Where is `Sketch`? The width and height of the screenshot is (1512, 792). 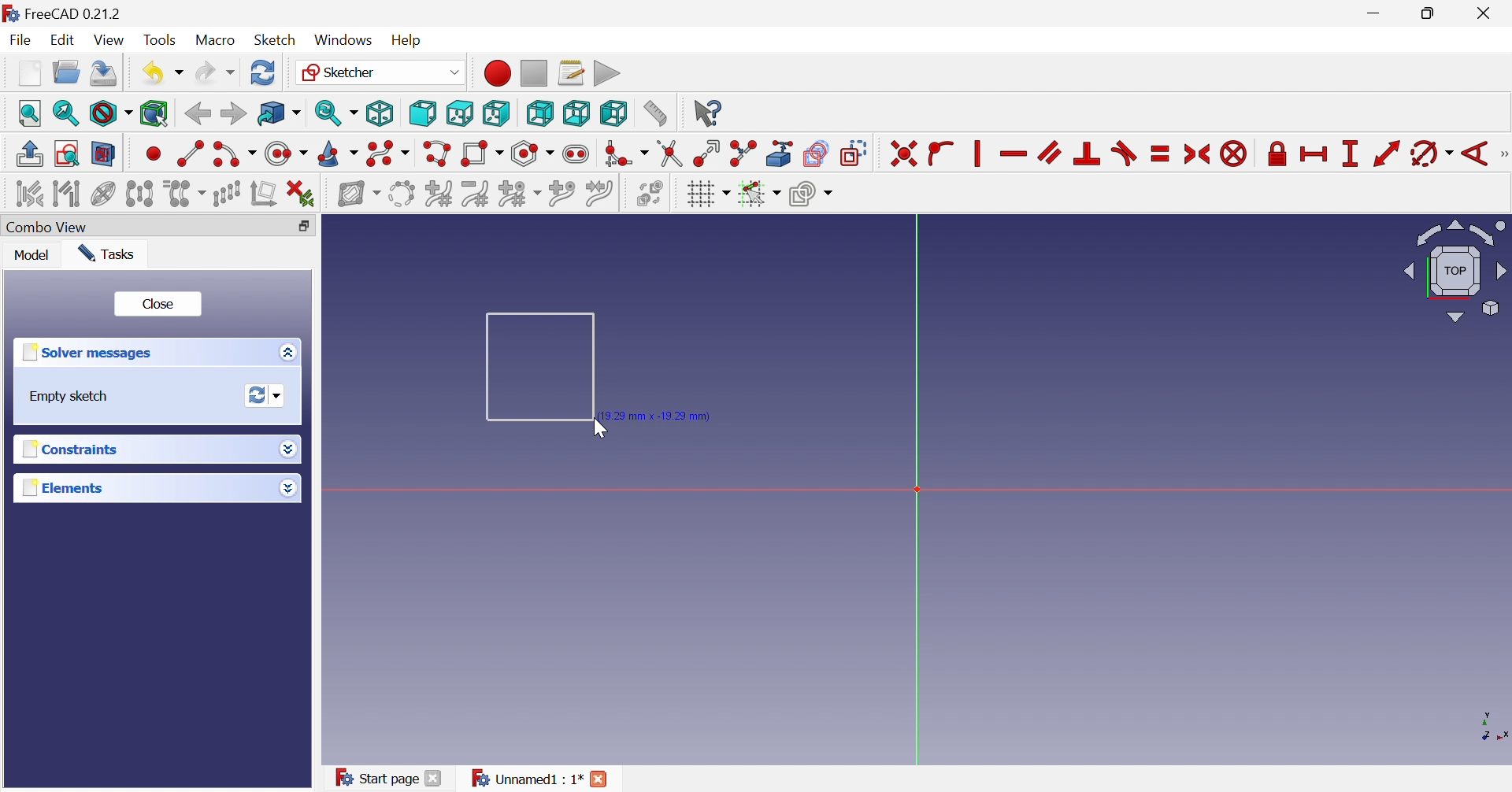
Sketch is located at coordinates (275, 40).